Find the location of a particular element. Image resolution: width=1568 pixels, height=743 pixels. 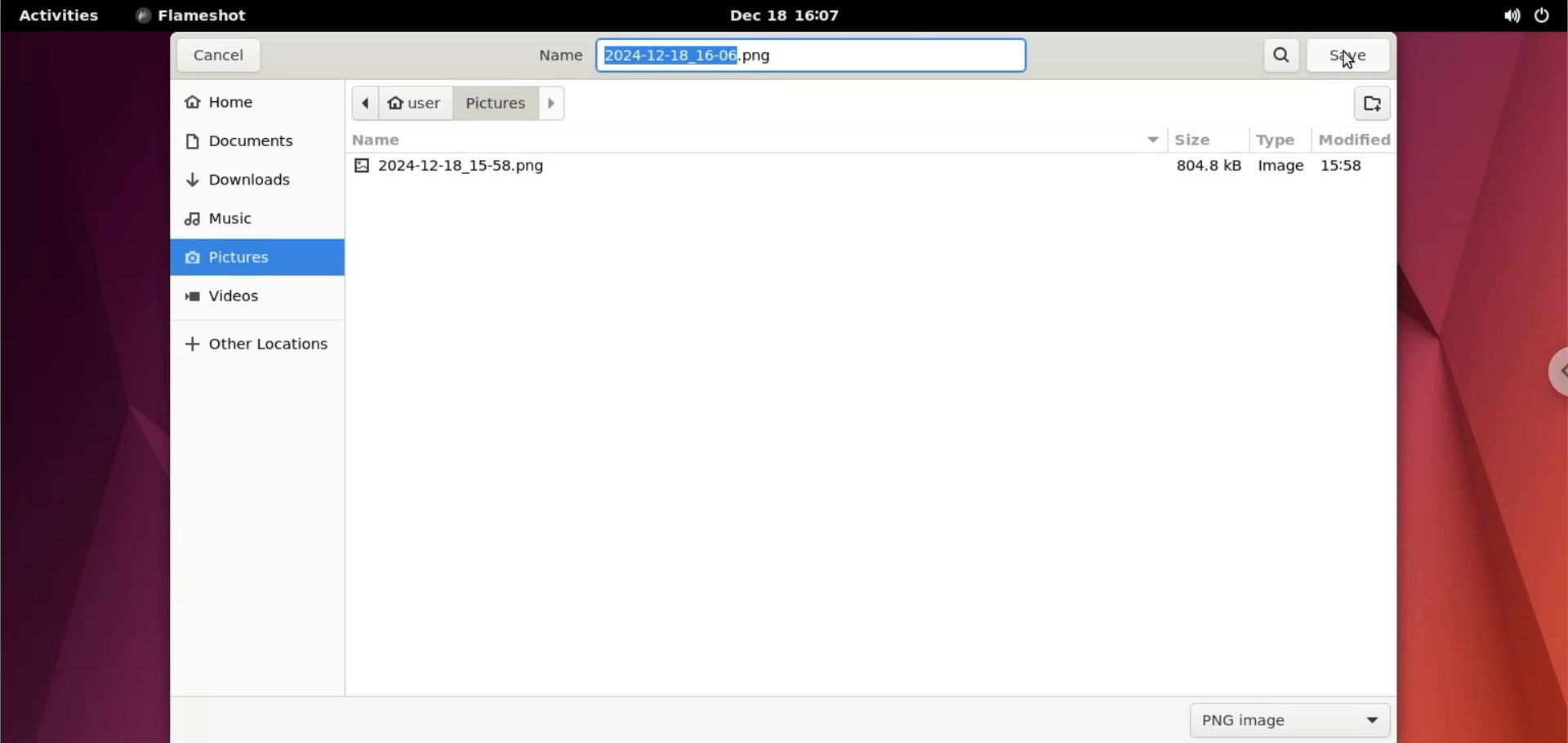

fille size is located at coordinates (1214, 167).